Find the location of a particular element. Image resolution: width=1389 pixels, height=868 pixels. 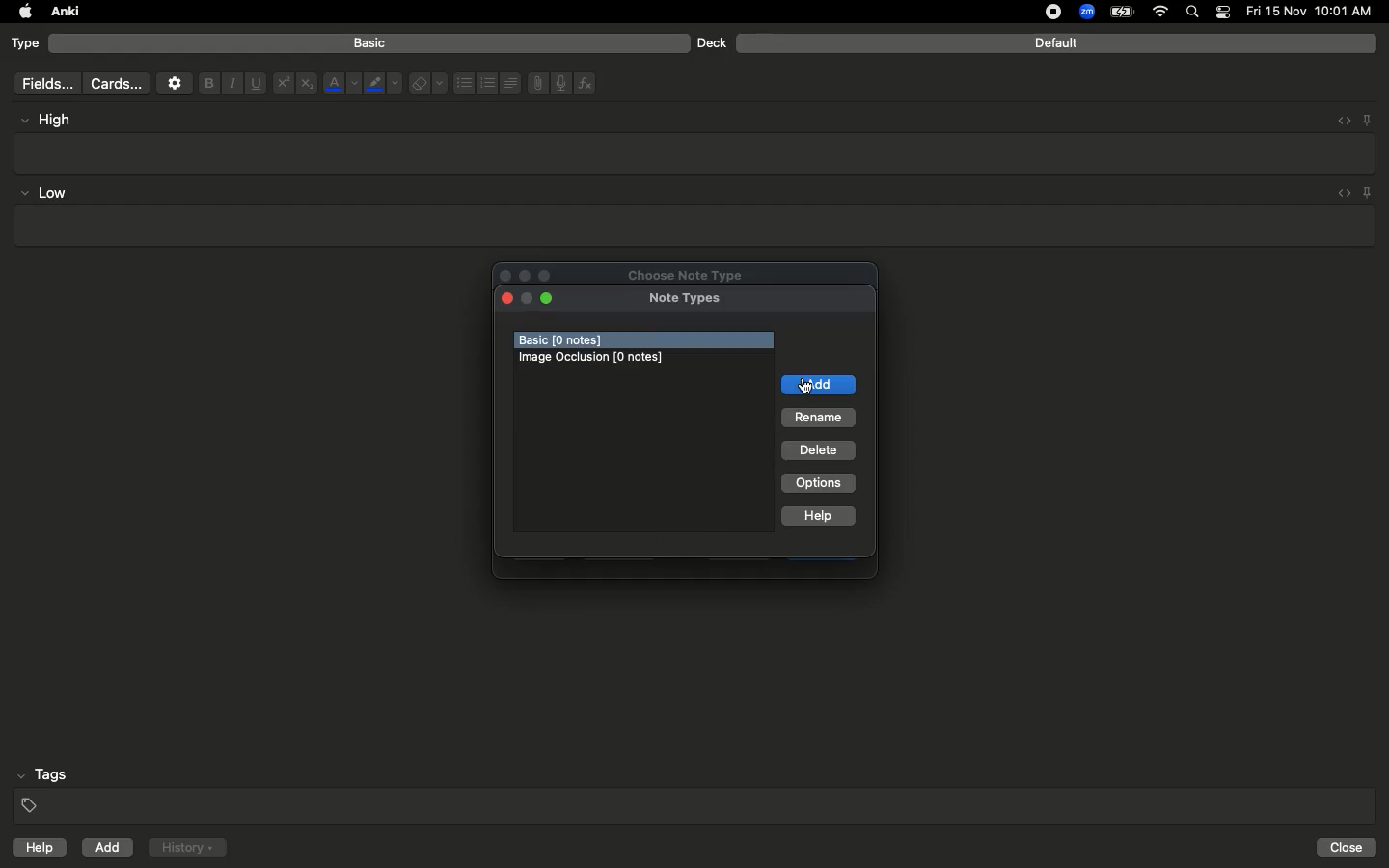

Tags is located at coordinates (696, 791).